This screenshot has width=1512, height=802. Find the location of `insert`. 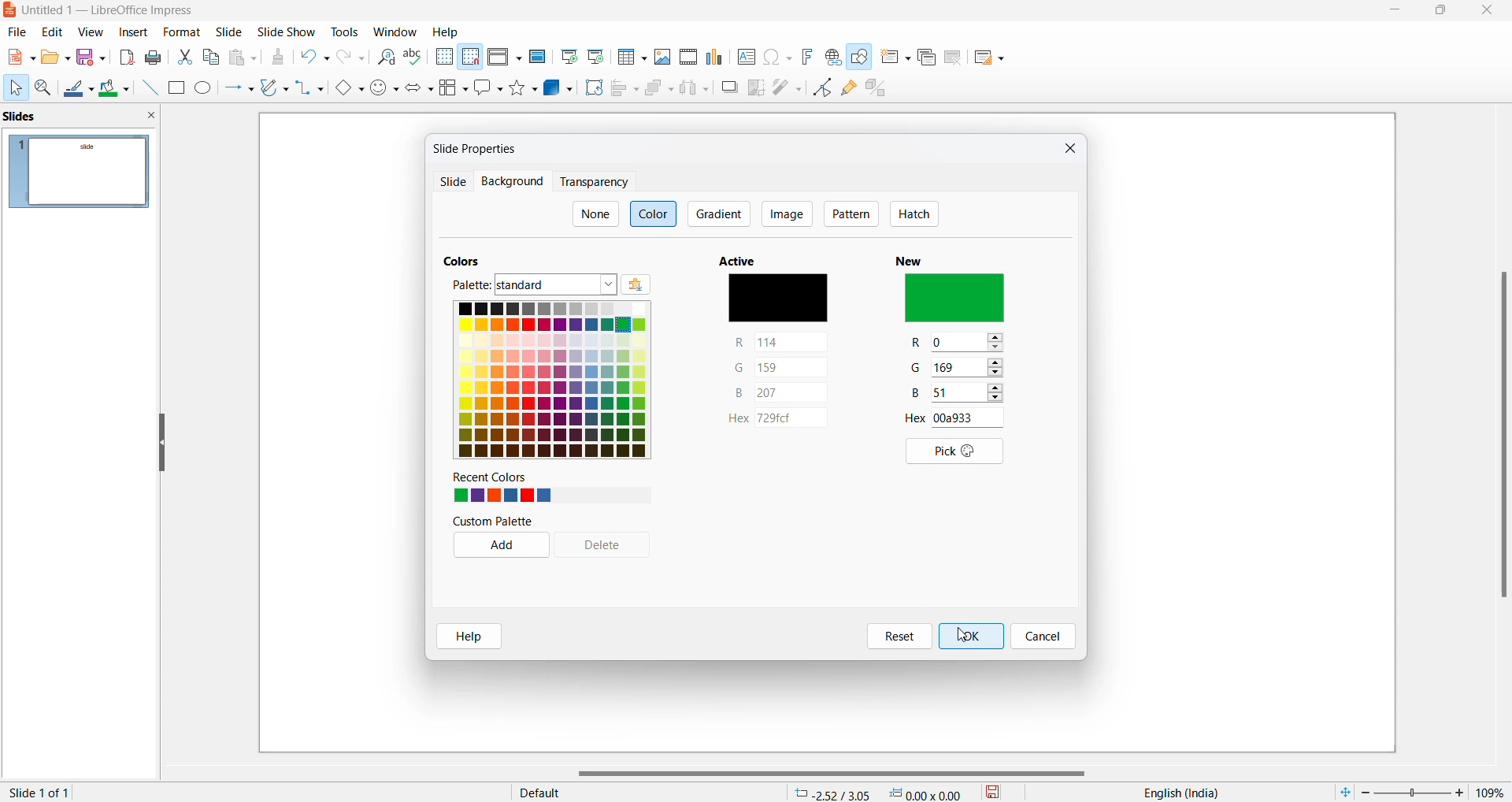

insert is located at coordinates (134, 31).